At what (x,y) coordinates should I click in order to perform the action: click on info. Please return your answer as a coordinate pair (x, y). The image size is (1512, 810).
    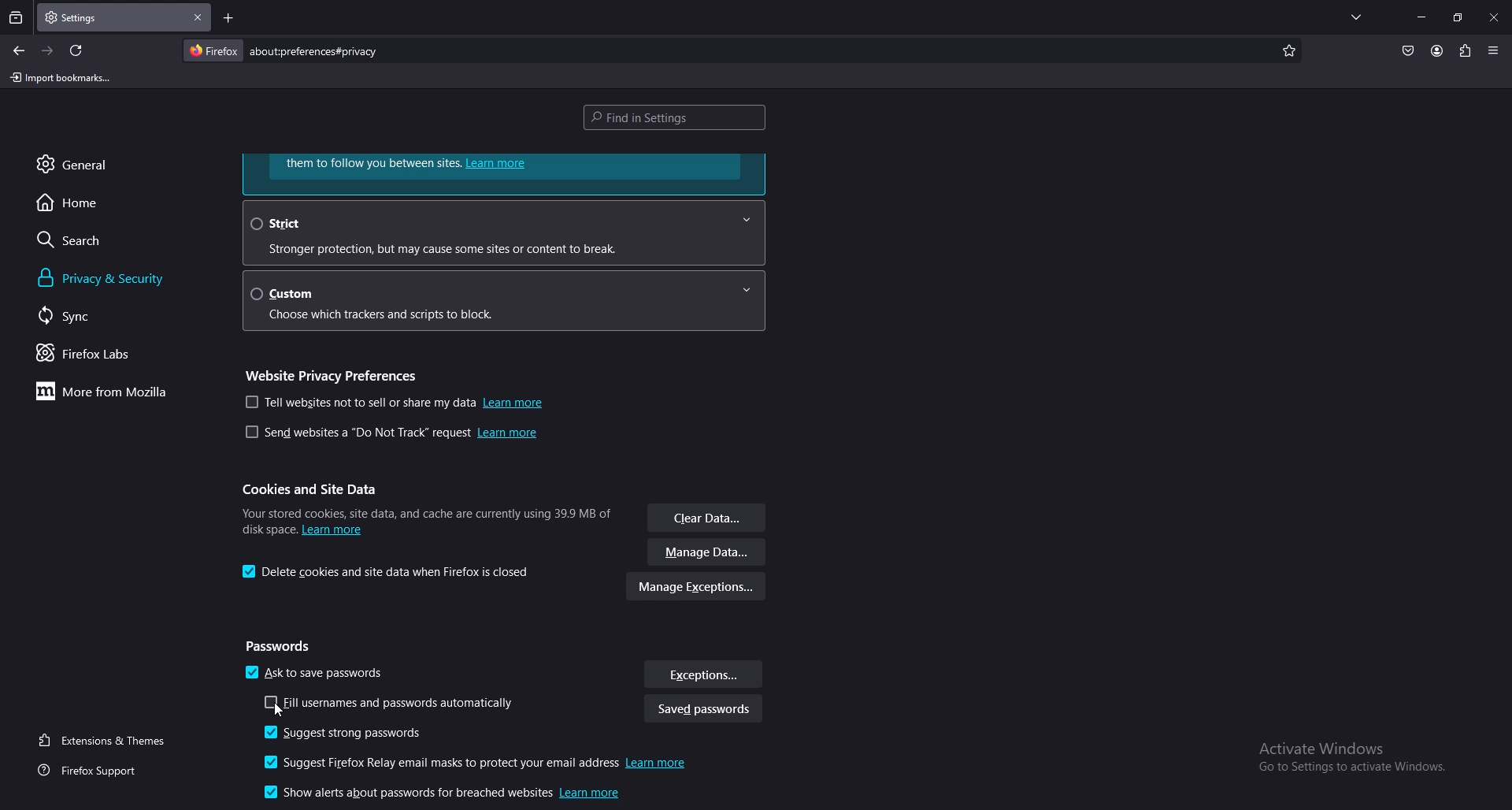
    Looking at the image, I should click on (425, 518).